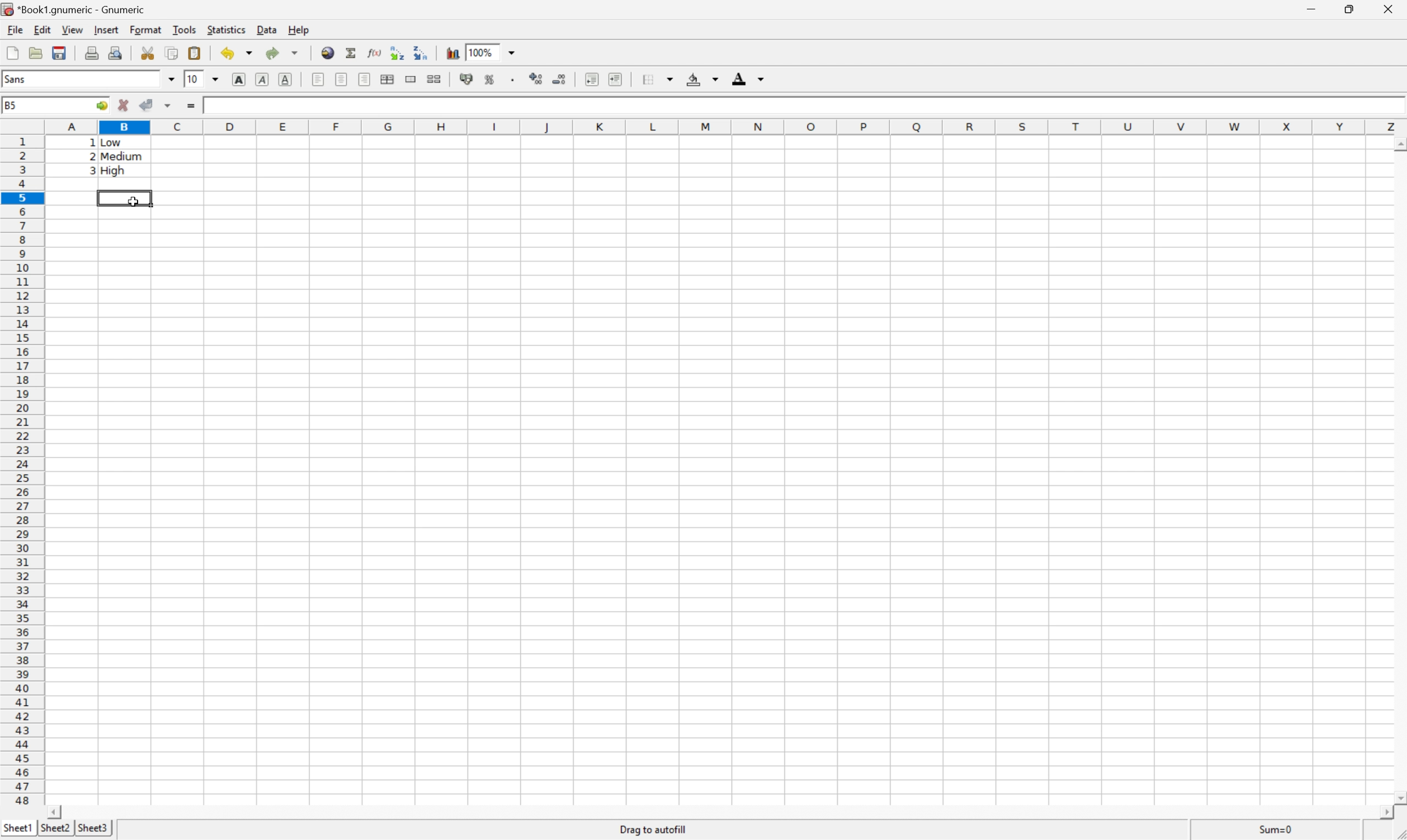 The width and height of the screenshot is (1407, 840). Describe the element at coordinates (592, 79) in the screenshot. I see `Decrease indent, and align the contents to the left` at that location.